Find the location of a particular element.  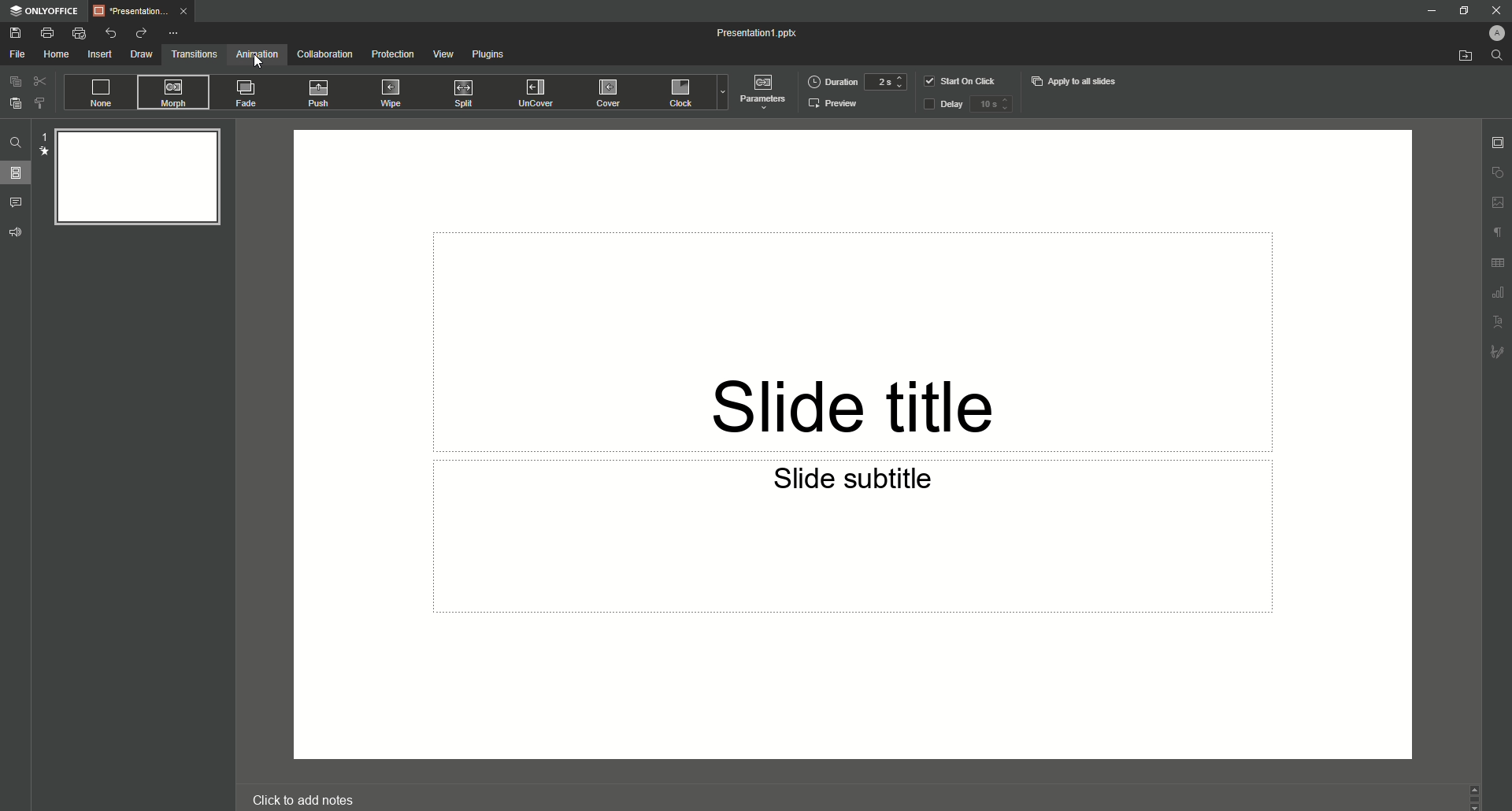

Unnamed Icons is located at coordinates (1498, 263).